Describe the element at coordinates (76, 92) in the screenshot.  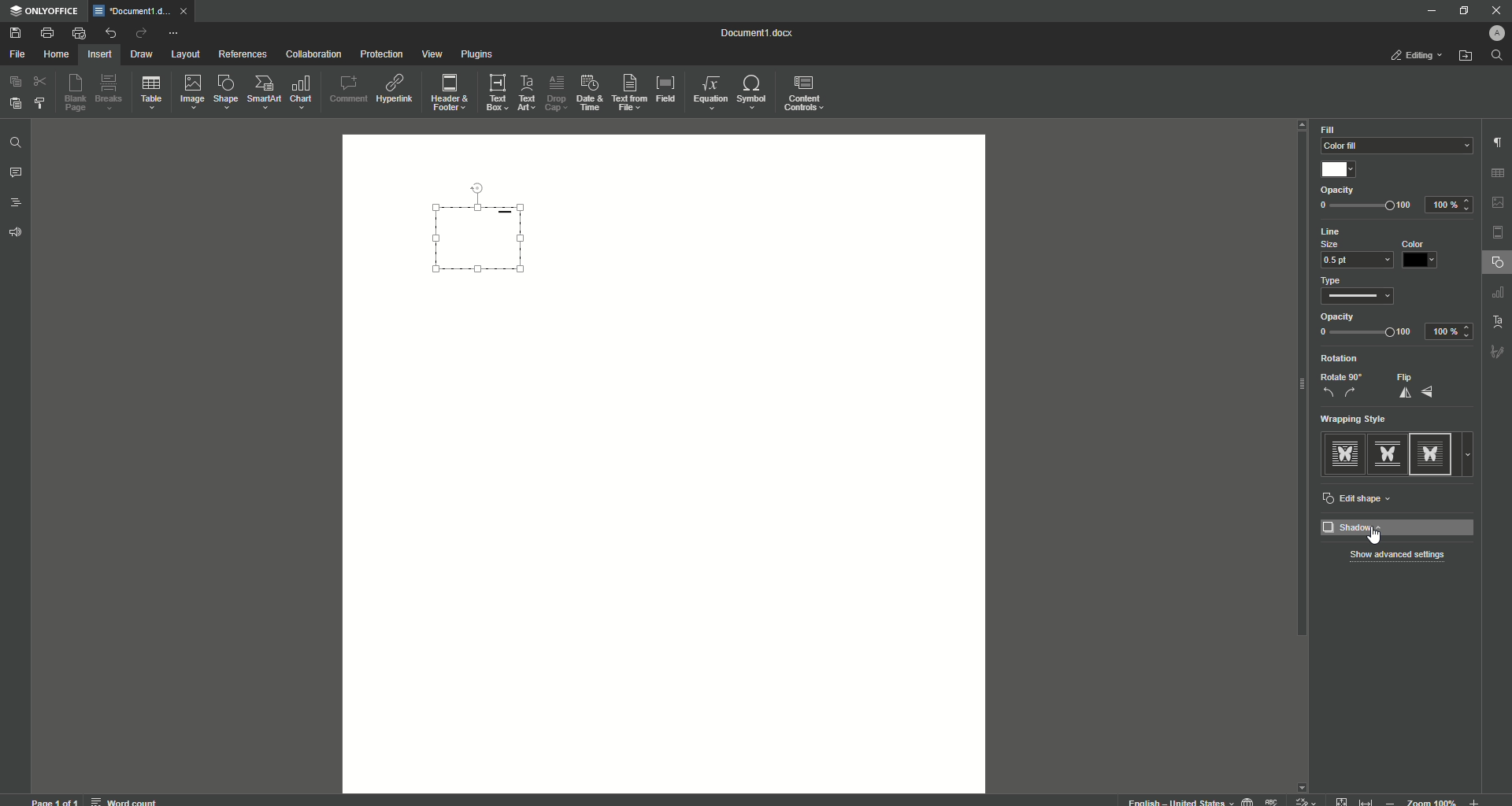
I see `Blank Page` at that location.